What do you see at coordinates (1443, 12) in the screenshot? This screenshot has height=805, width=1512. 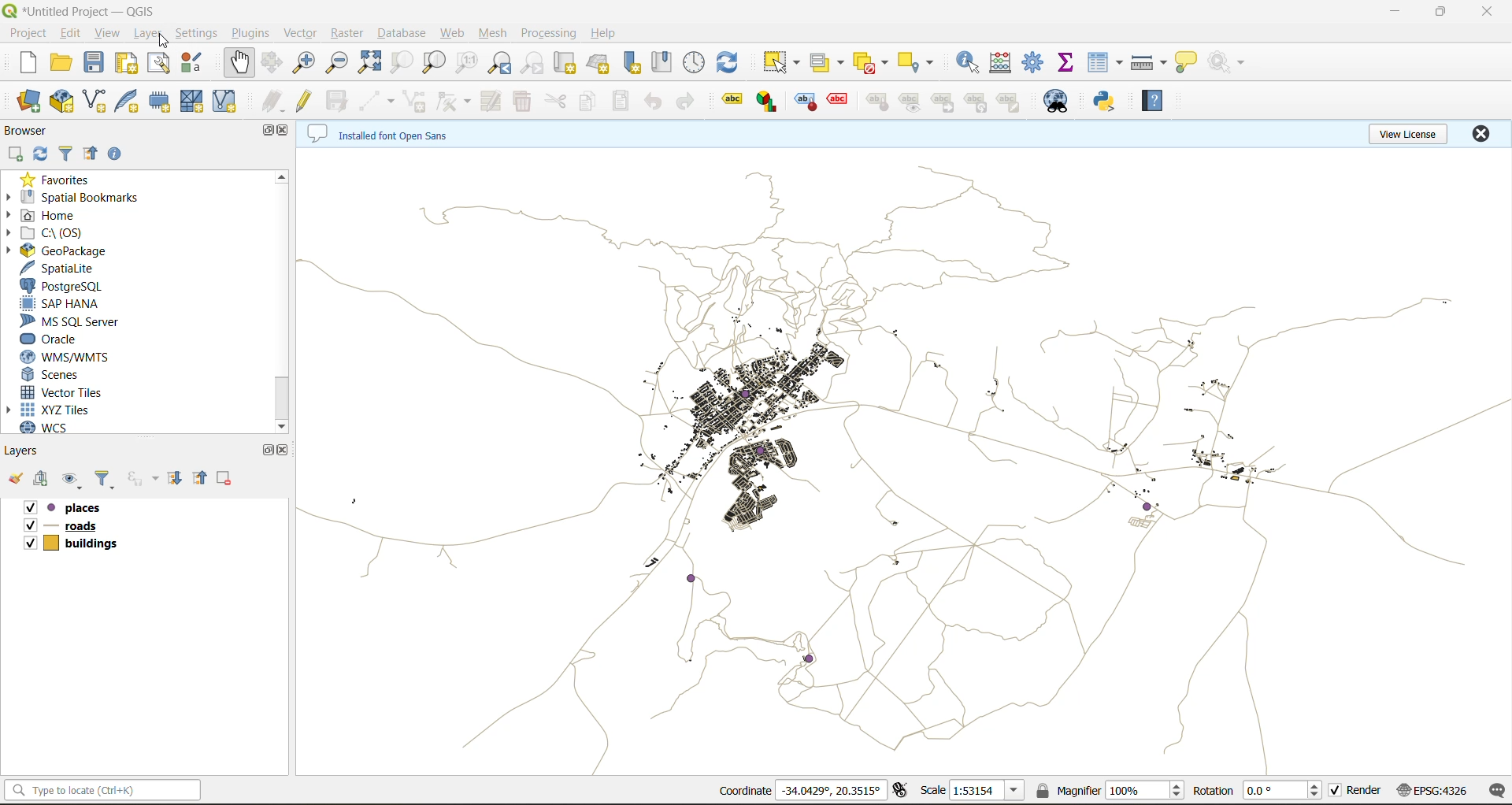 I see `maximize` at bounding box center [1443, 12].